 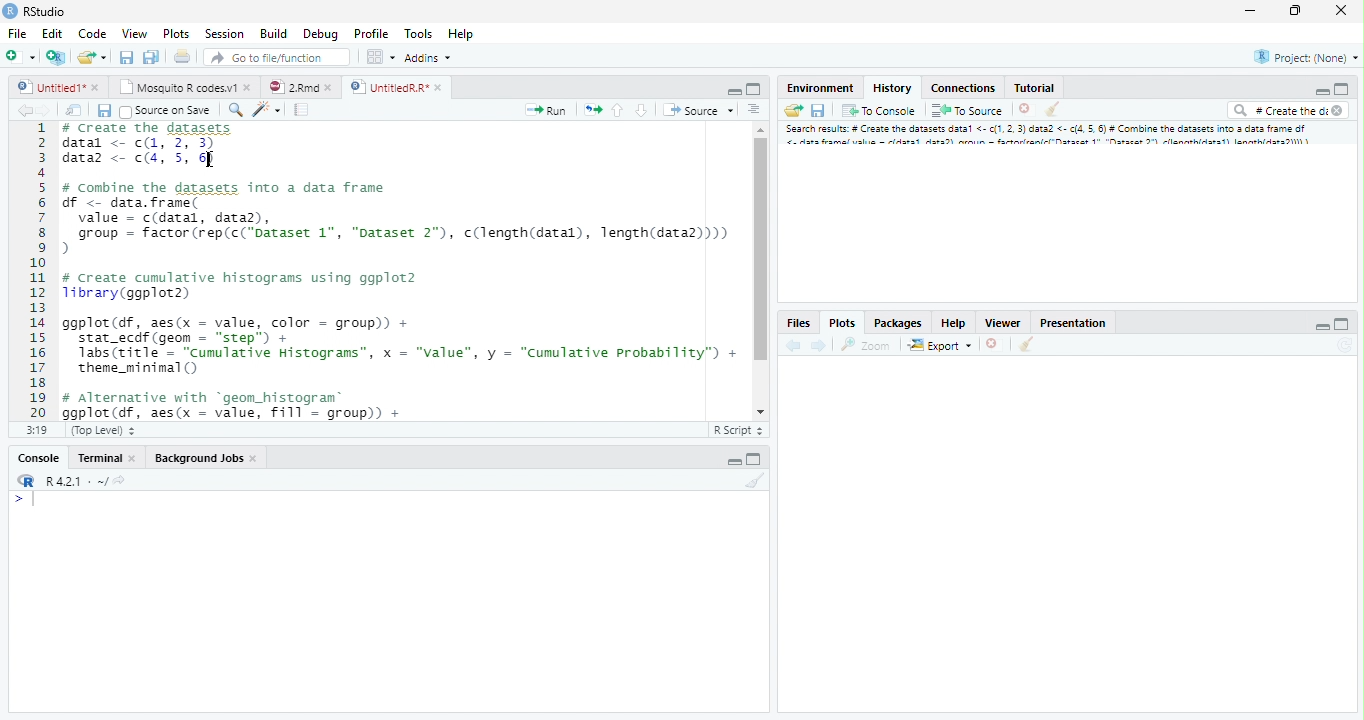 What do you see at coordinates (754, 88) in the screenshot?
I see `Maximize` at bounding box center [754, 88].